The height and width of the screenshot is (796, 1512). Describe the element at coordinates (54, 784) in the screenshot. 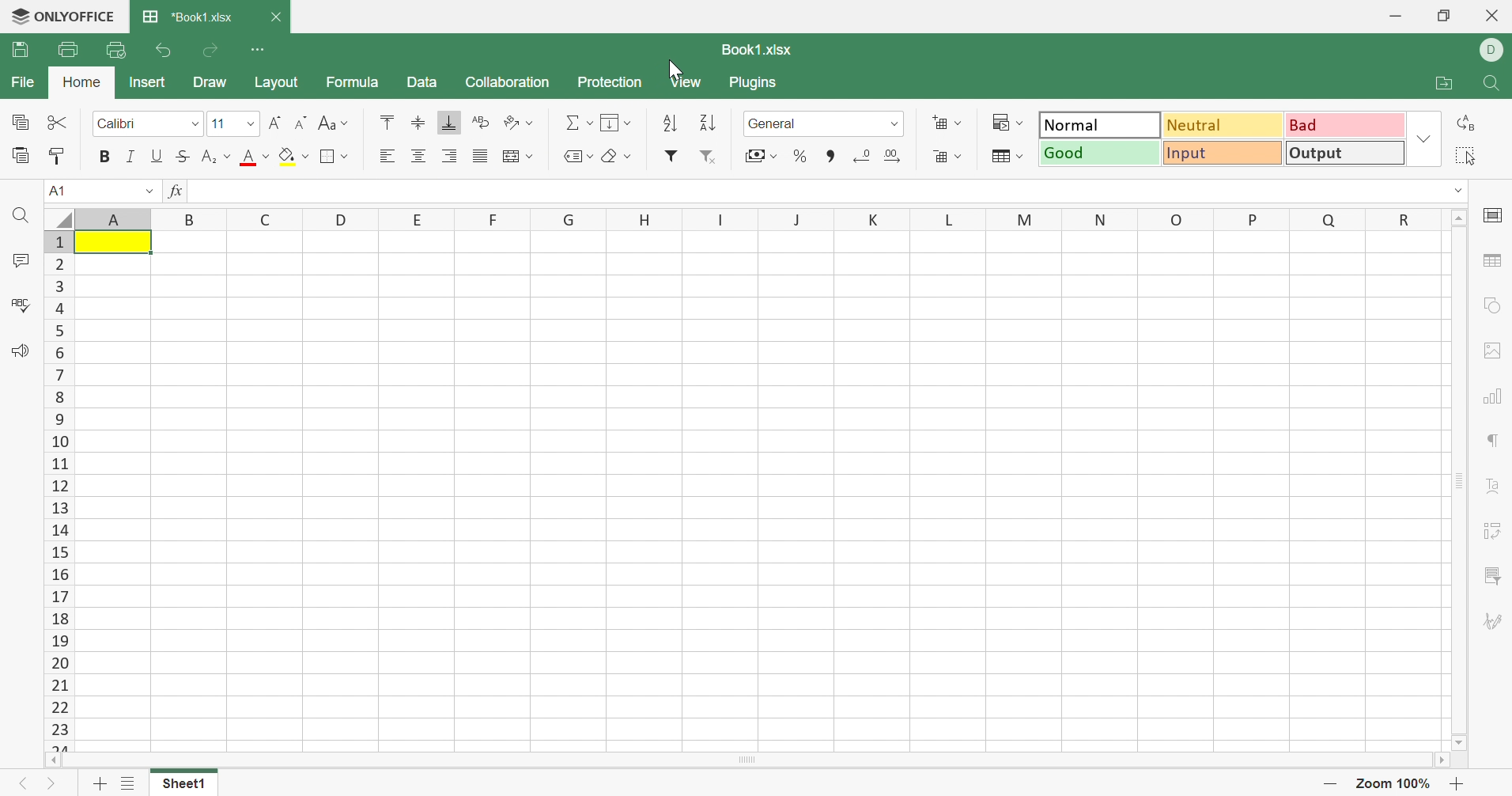

I see `Next` at that location.